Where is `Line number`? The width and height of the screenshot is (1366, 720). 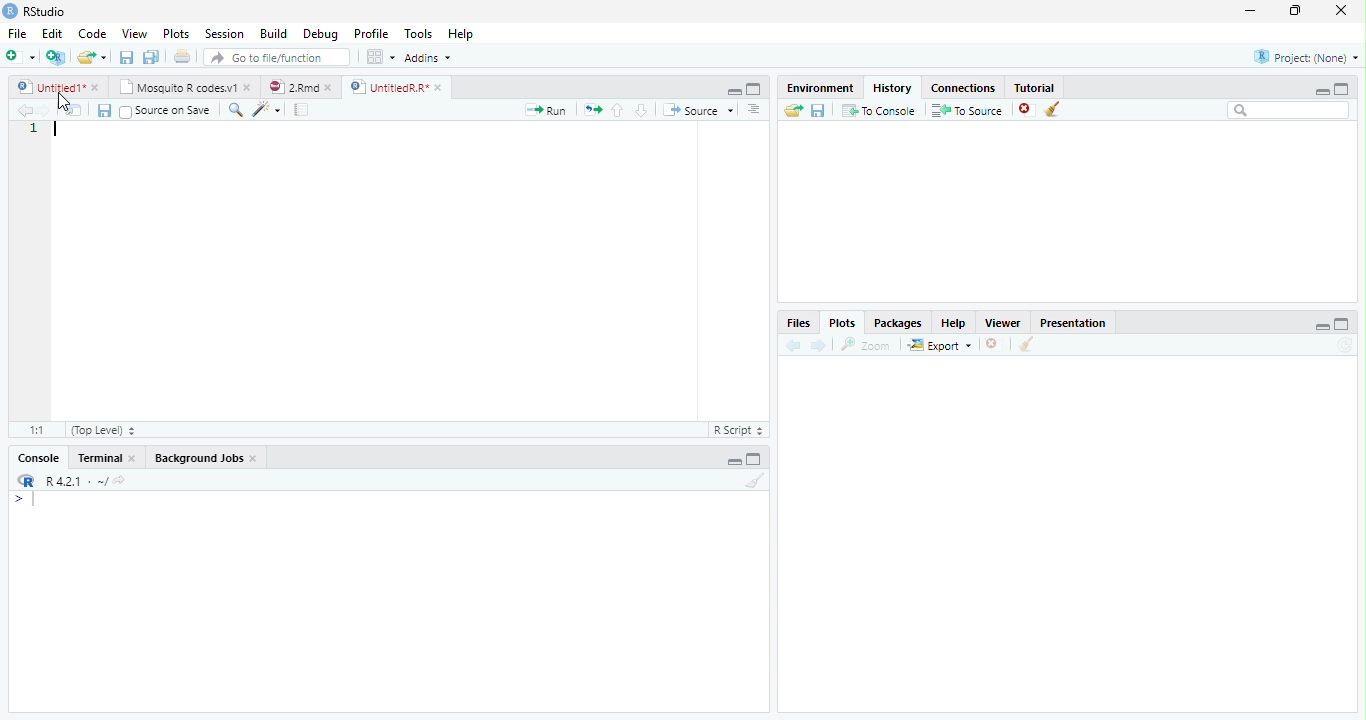
Line number is located at coordinates (35, 130).